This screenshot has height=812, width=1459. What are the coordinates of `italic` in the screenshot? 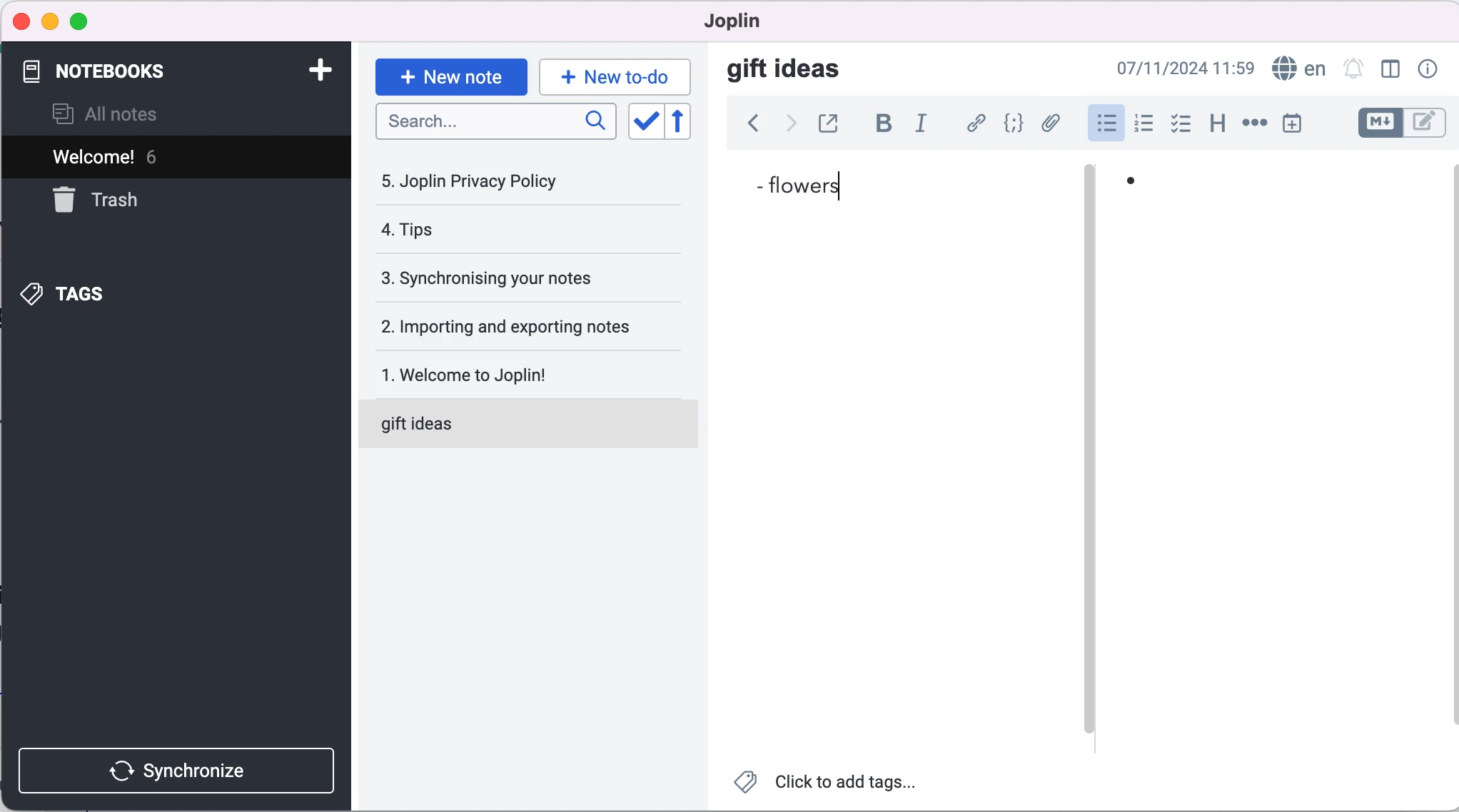 It's located at (921, 125).